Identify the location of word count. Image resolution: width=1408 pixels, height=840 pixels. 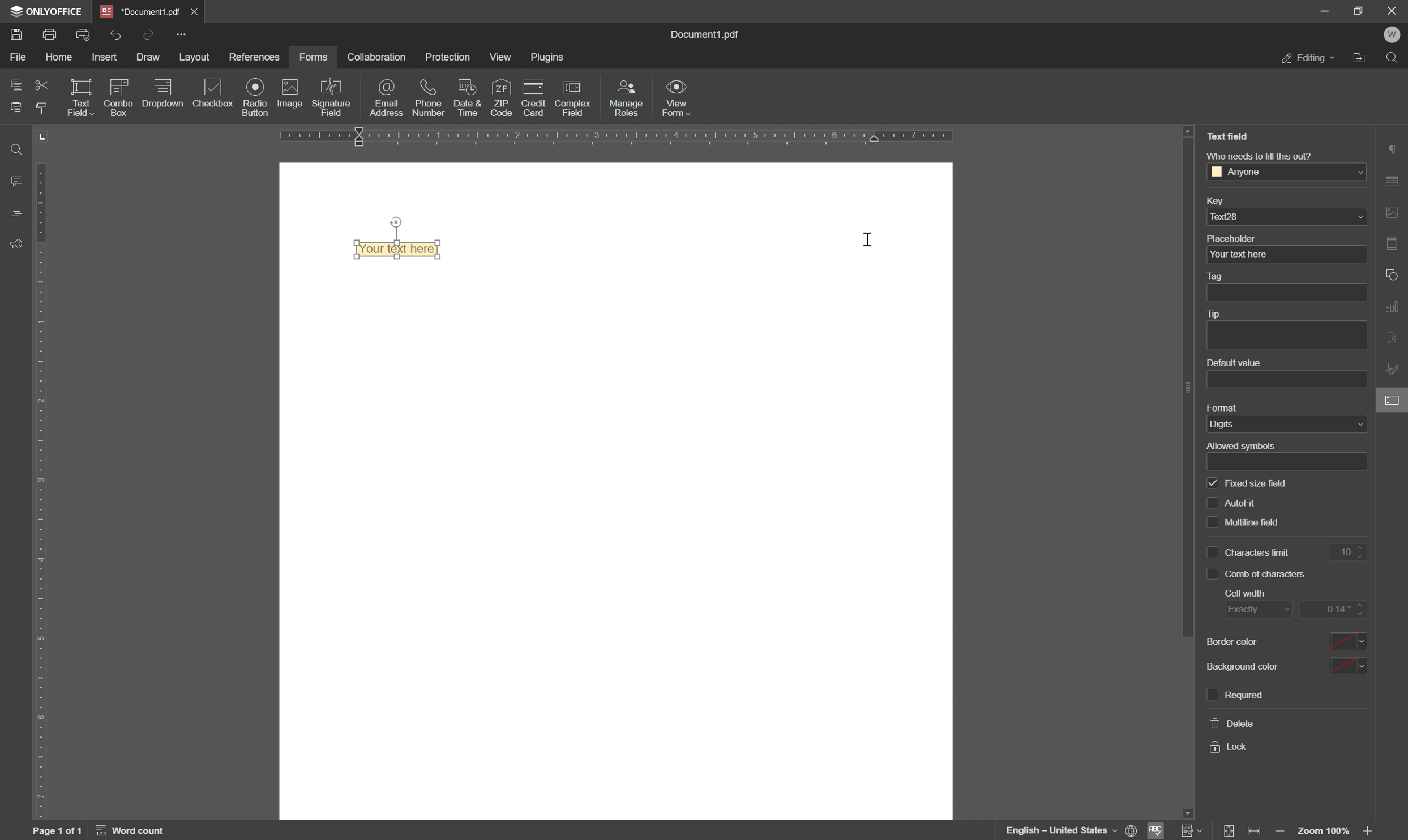
(131, 831).